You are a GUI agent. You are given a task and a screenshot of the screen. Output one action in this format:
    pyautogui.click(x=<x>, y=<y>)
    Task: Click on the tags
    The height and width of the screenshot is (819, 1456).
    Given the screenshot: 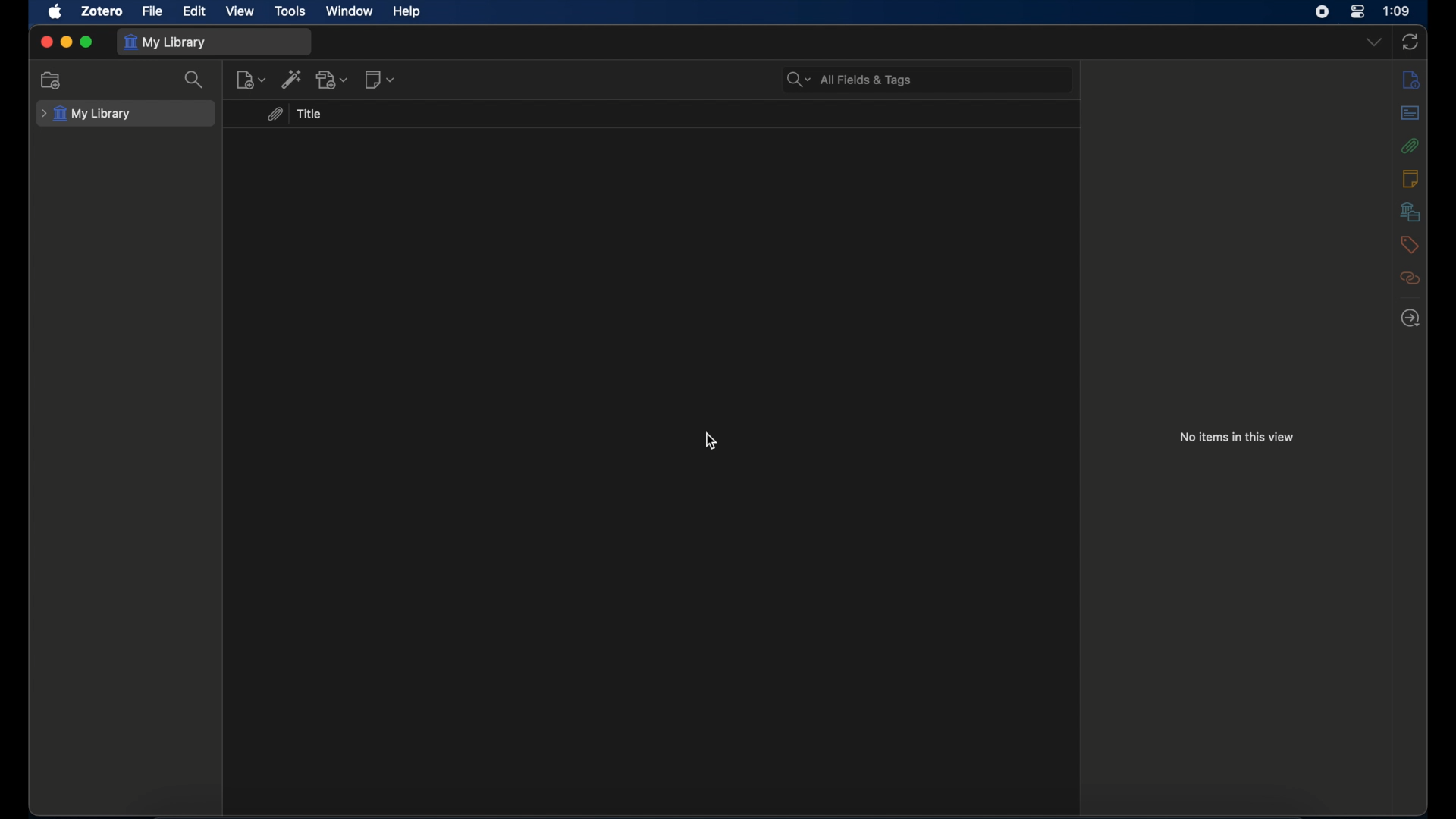 What is the action you would take?
    pyautogui.click(x=1409, y=243)
    